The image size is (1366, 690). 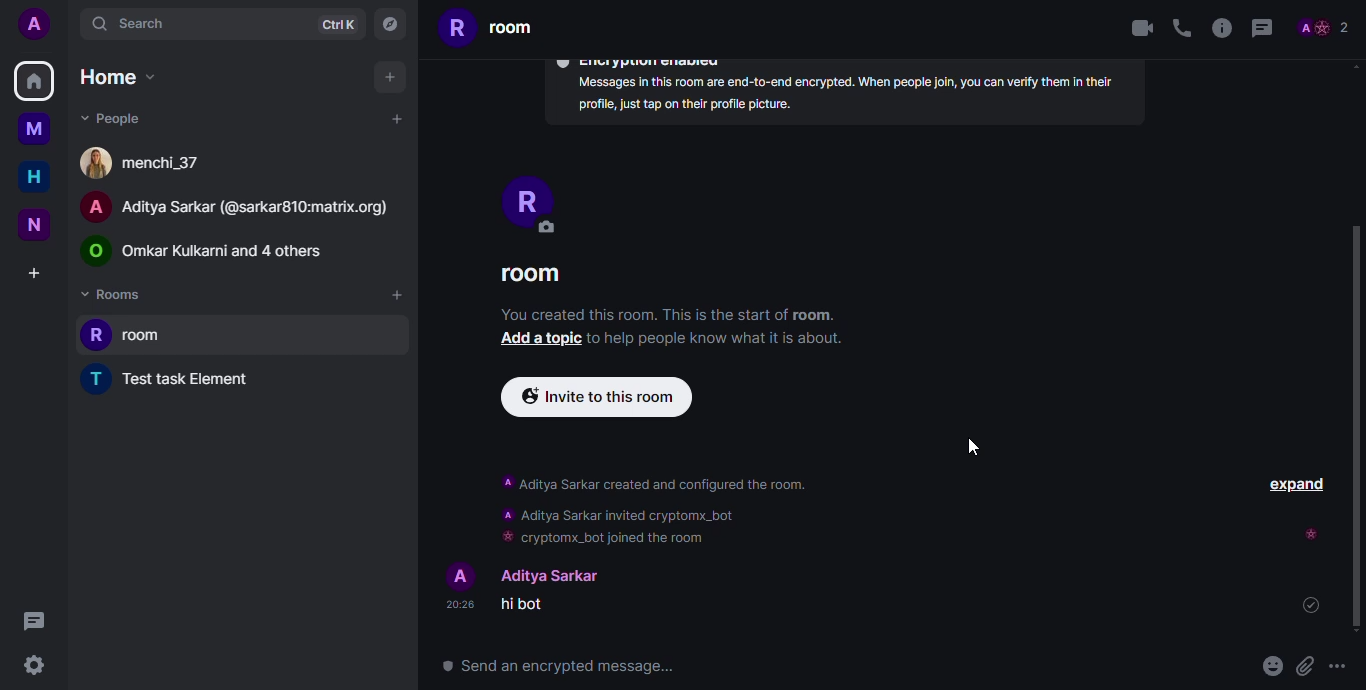 What do you see at coordinates (390, 78) in the screenshot?
I see `add` at bounding box center [390, 78].